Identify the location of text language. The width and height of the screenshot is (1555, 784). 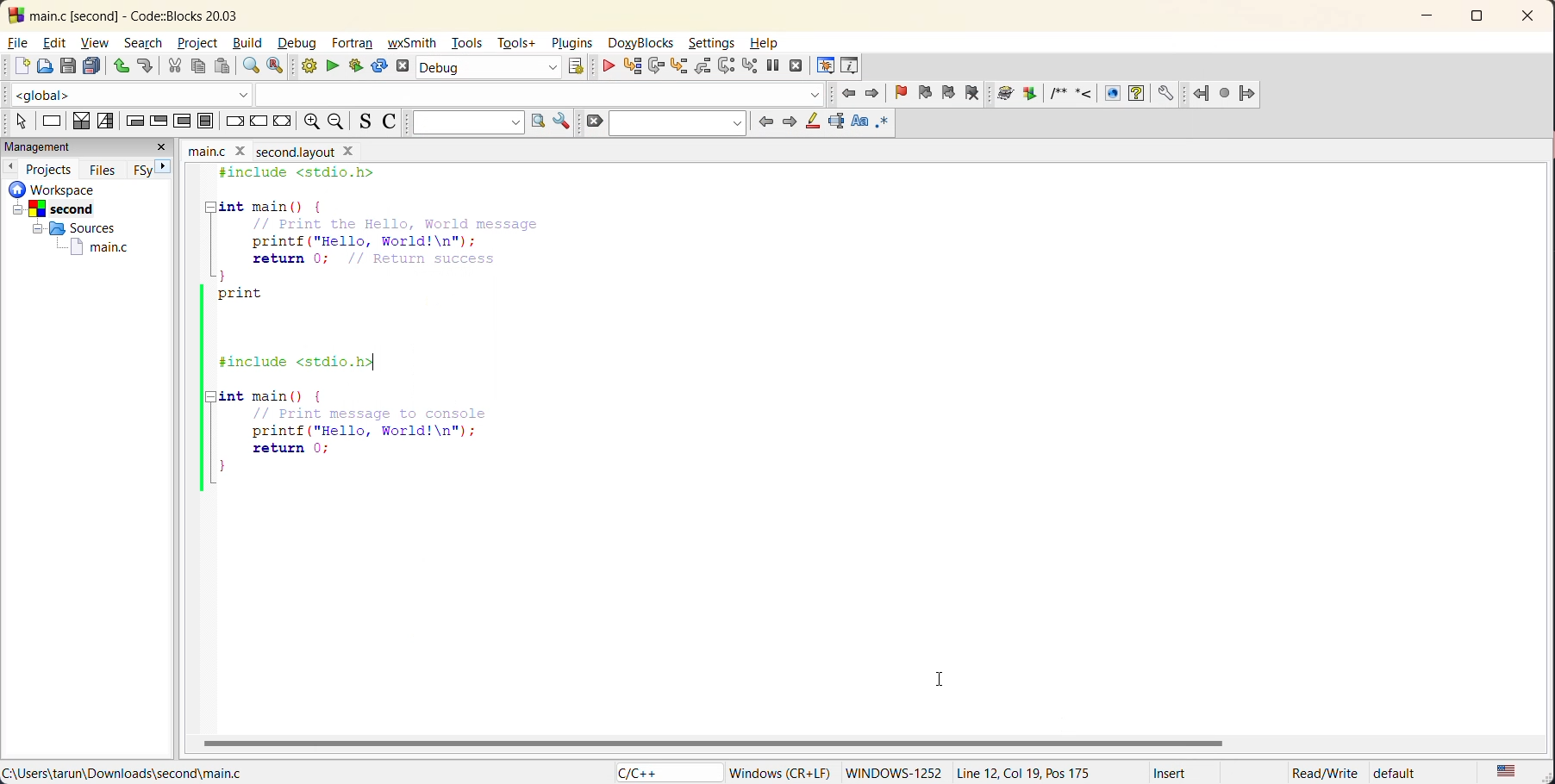
(1509, 770).